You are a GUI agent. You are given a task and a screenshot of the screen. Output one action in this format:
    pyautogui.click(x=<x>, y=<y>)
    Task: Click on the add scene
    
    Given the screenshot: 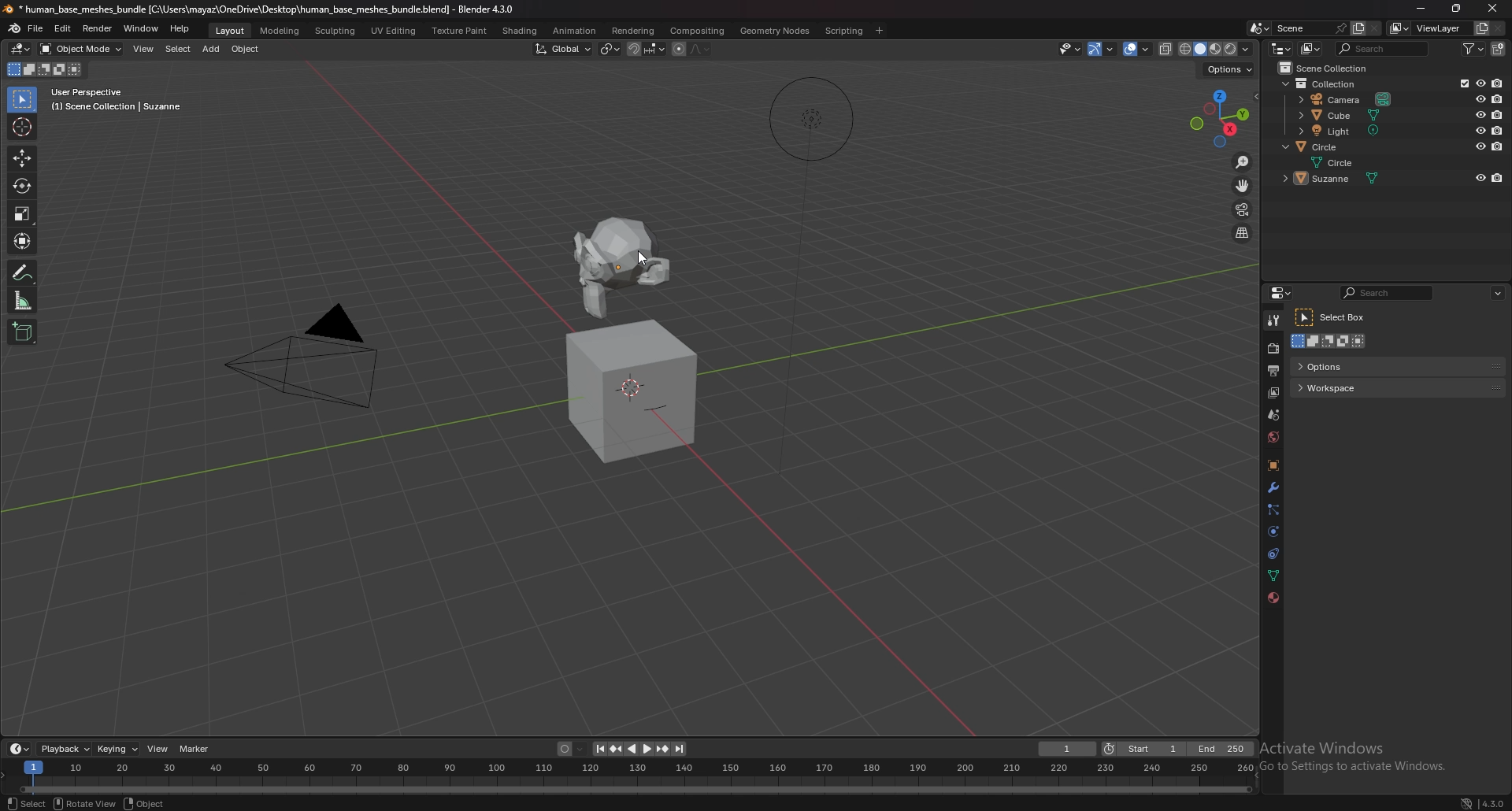 What is the action you would take?
    pyautogui.click(x=1355, y=28)
    